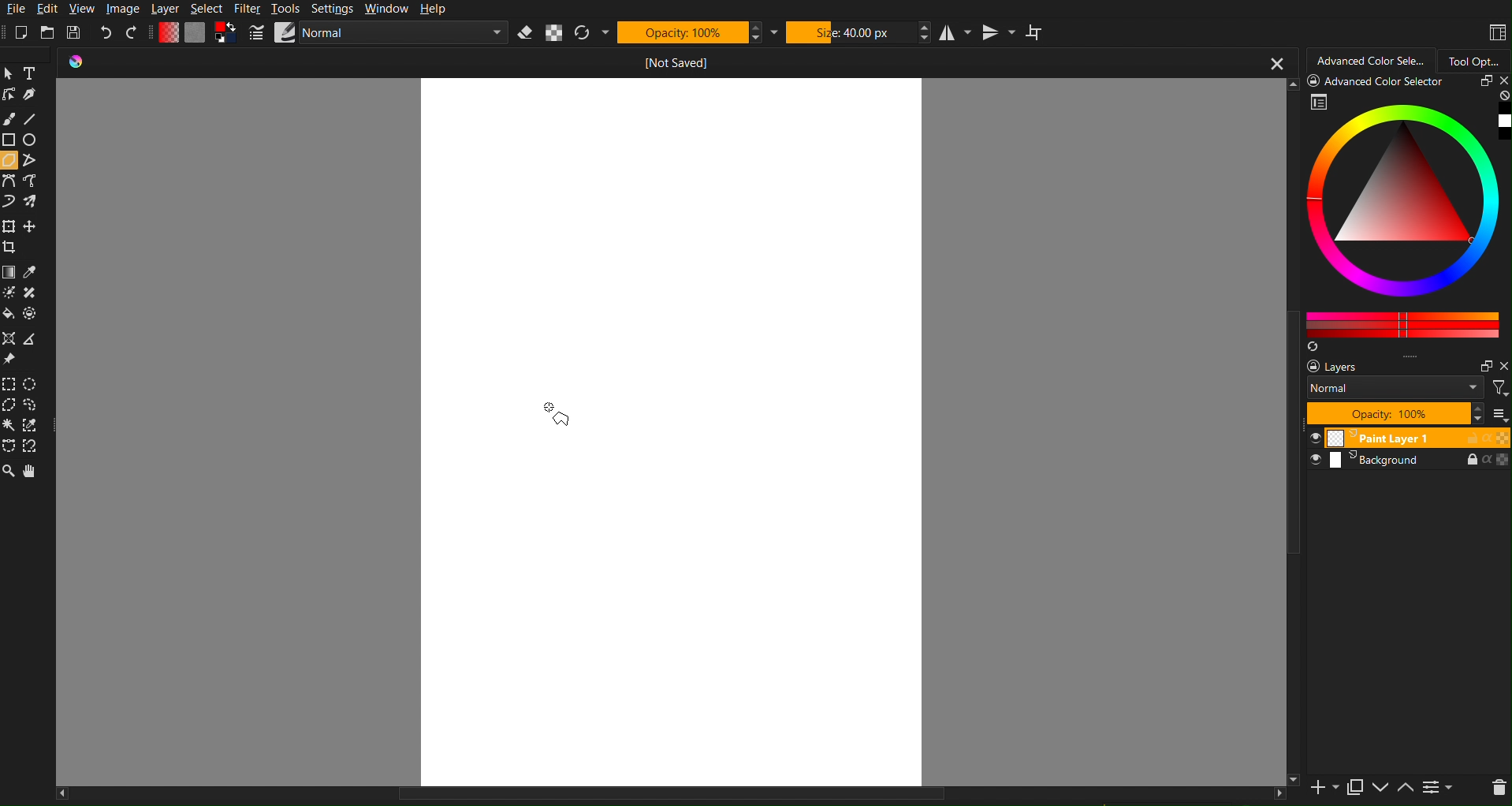 The height and width of the screenshot is (806, 1512). I want to click on bezier Curve Tools, so click(9, 181).